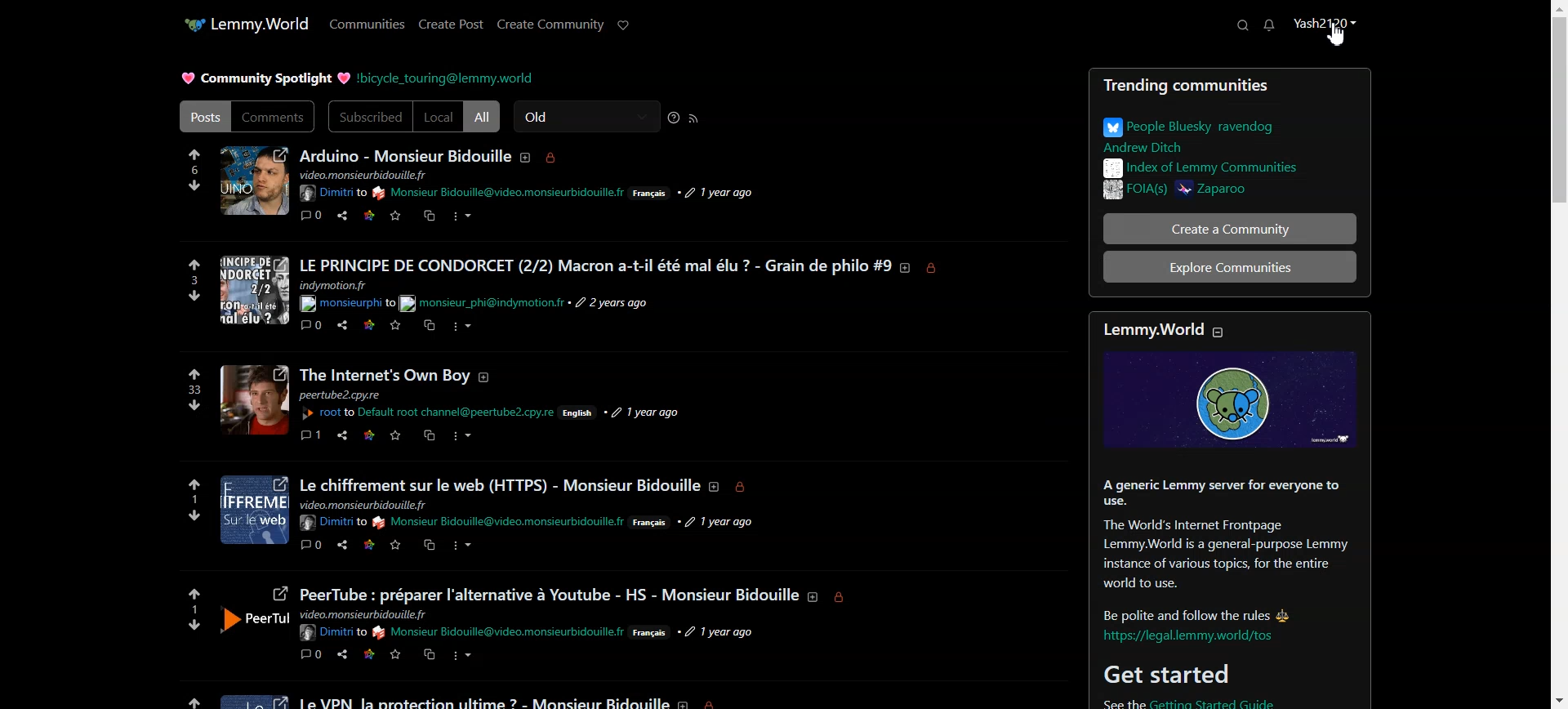 The height and width of the screenshot is (709, 1568). Describe the element at coordinates (482, 116) in the screenshot. I see `All` at that location.